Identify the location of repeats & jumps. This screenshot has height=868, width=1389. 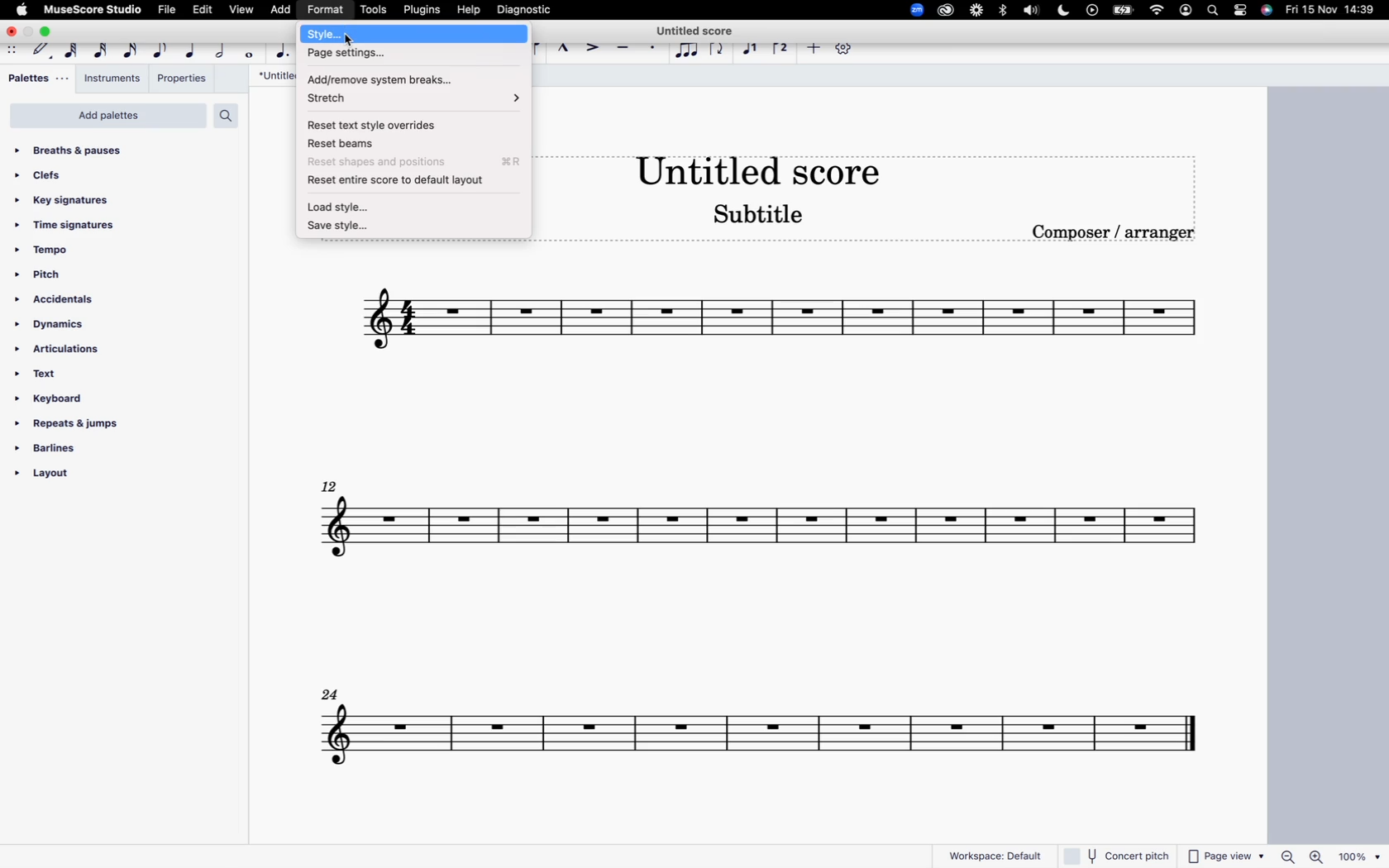
(74, 424).